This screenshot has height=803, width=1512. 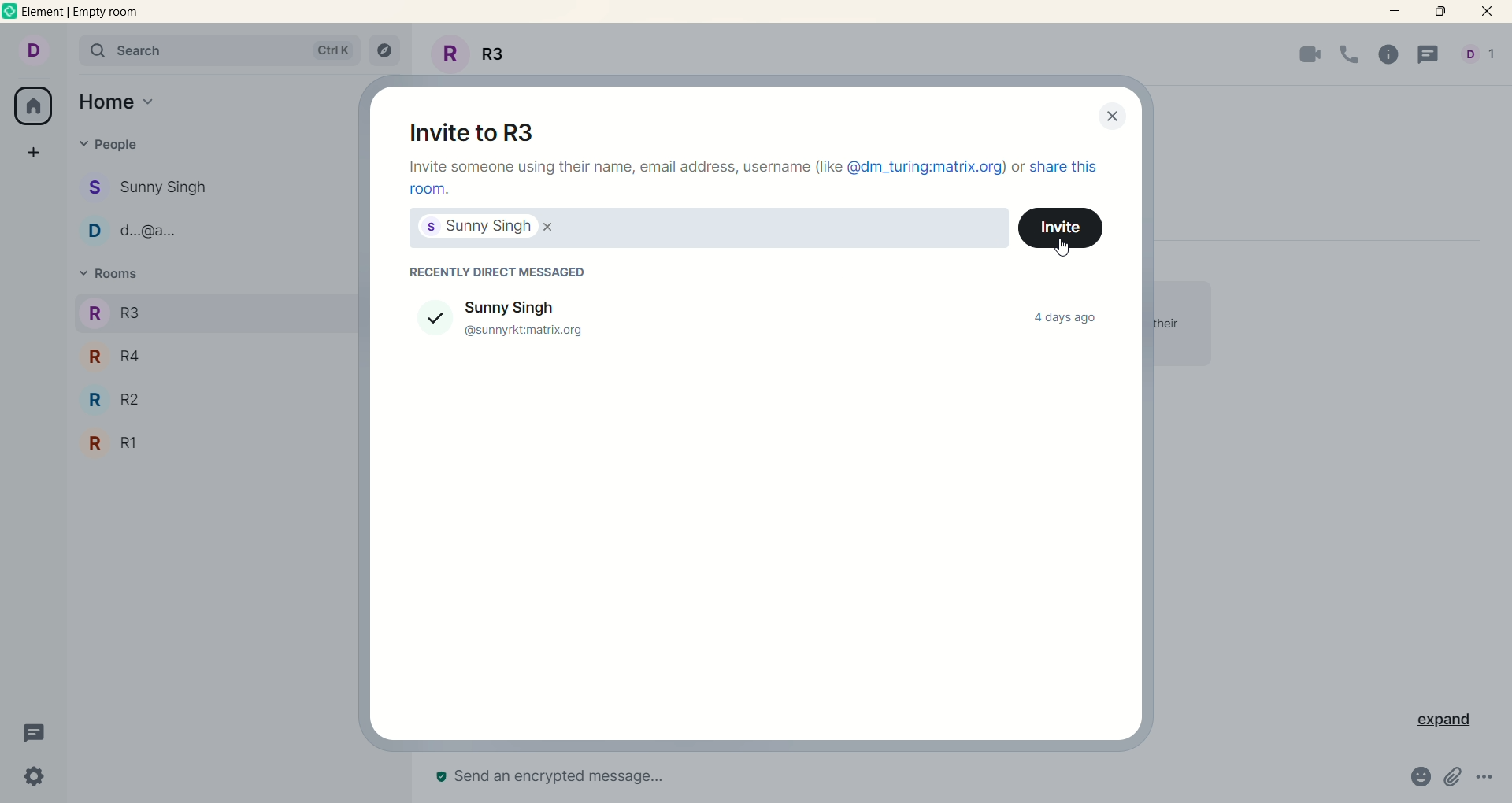 What do you see at coordinates (35, 734) in the screenshot?
I see `threads` at bounding box center [35, 734].